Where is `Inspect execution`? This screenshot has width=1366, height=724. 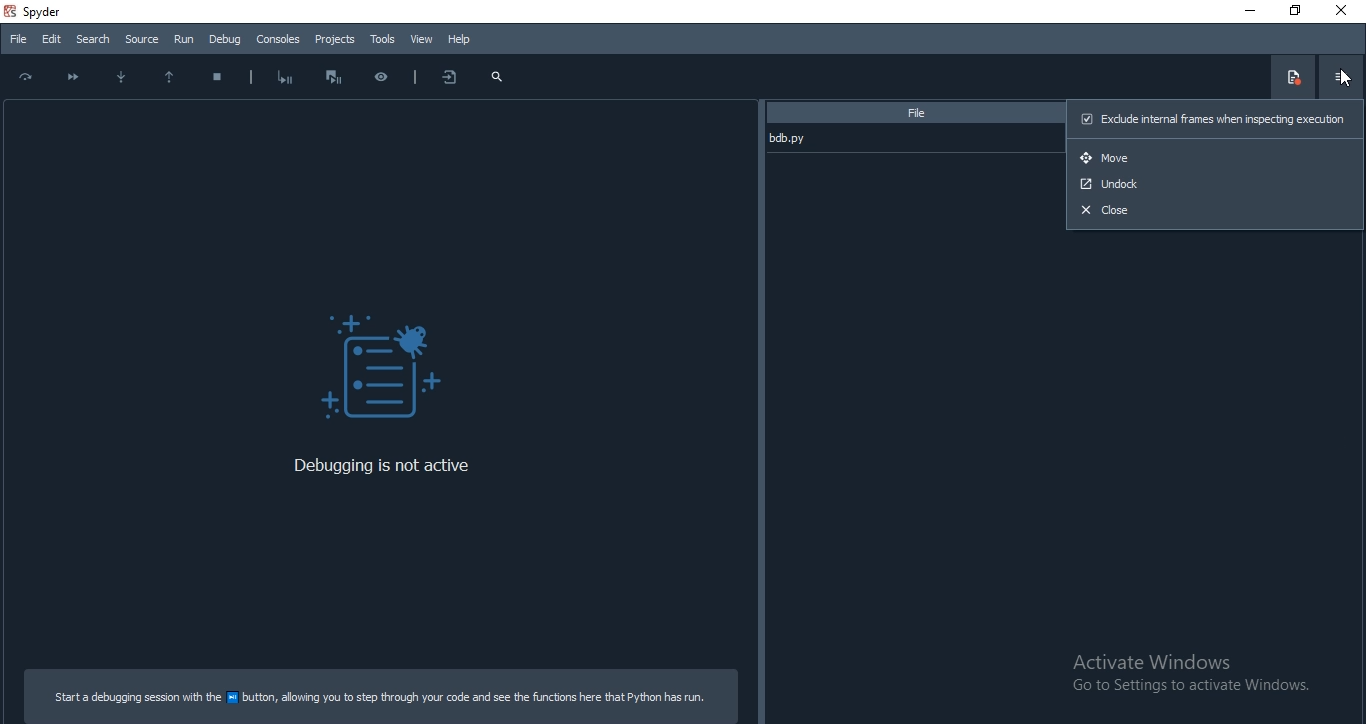
Inspect execution is located at coordinates (380, 77).